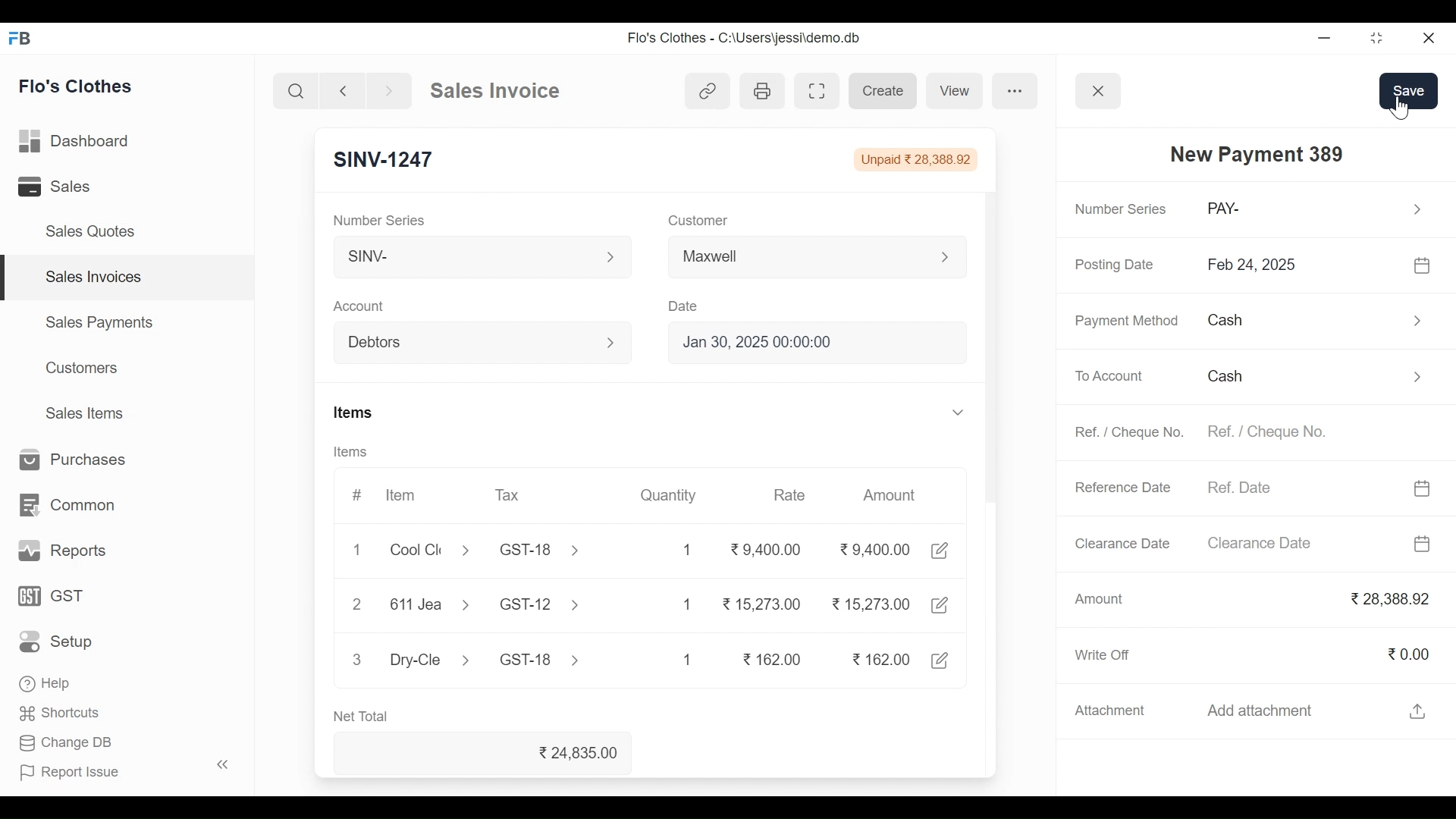  Describe the element at coordinates (296, 91) in the screenshot. I see `Search` at that location.